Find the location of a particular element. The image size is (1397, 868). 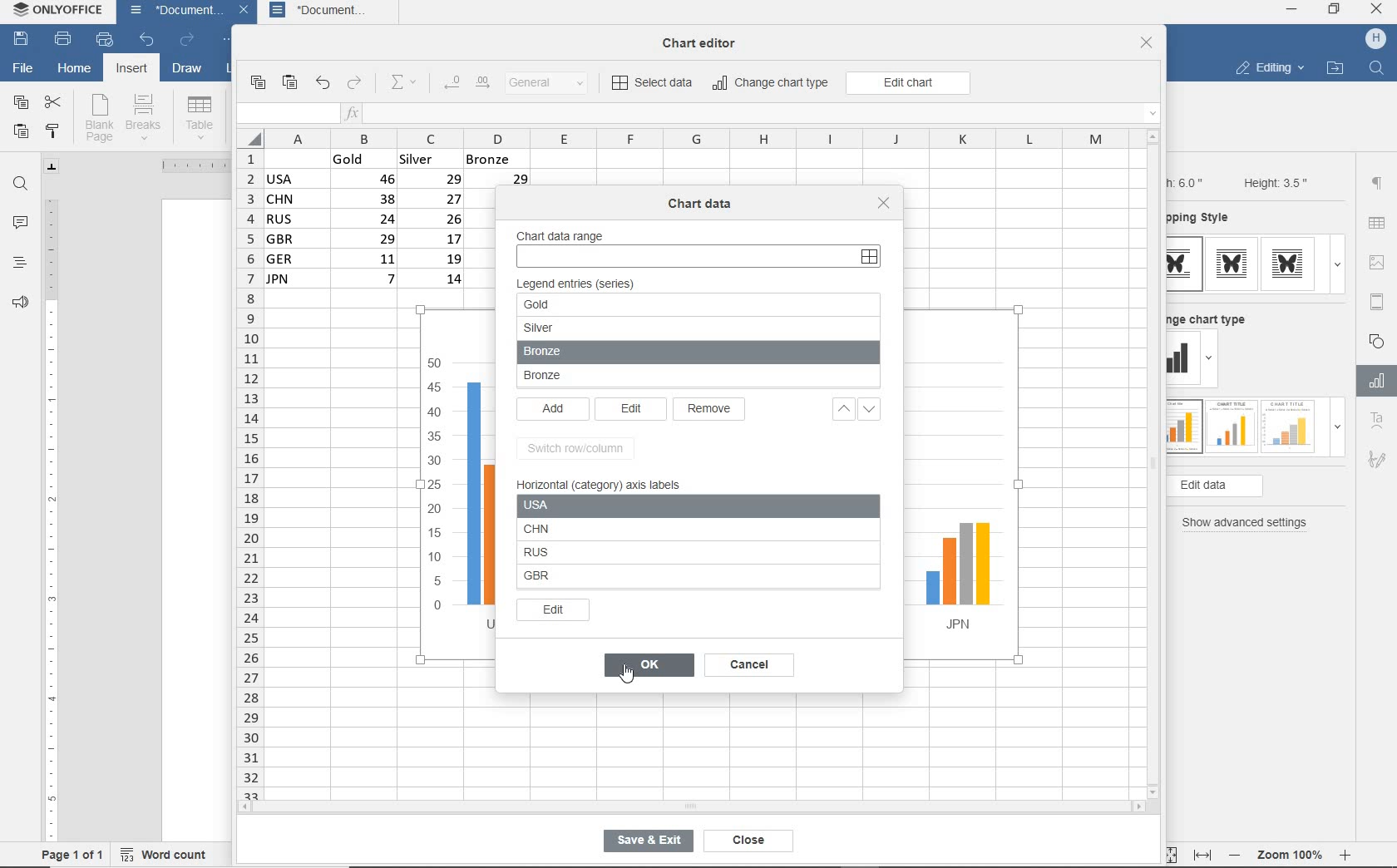

close is located at coordinates (886, 204).